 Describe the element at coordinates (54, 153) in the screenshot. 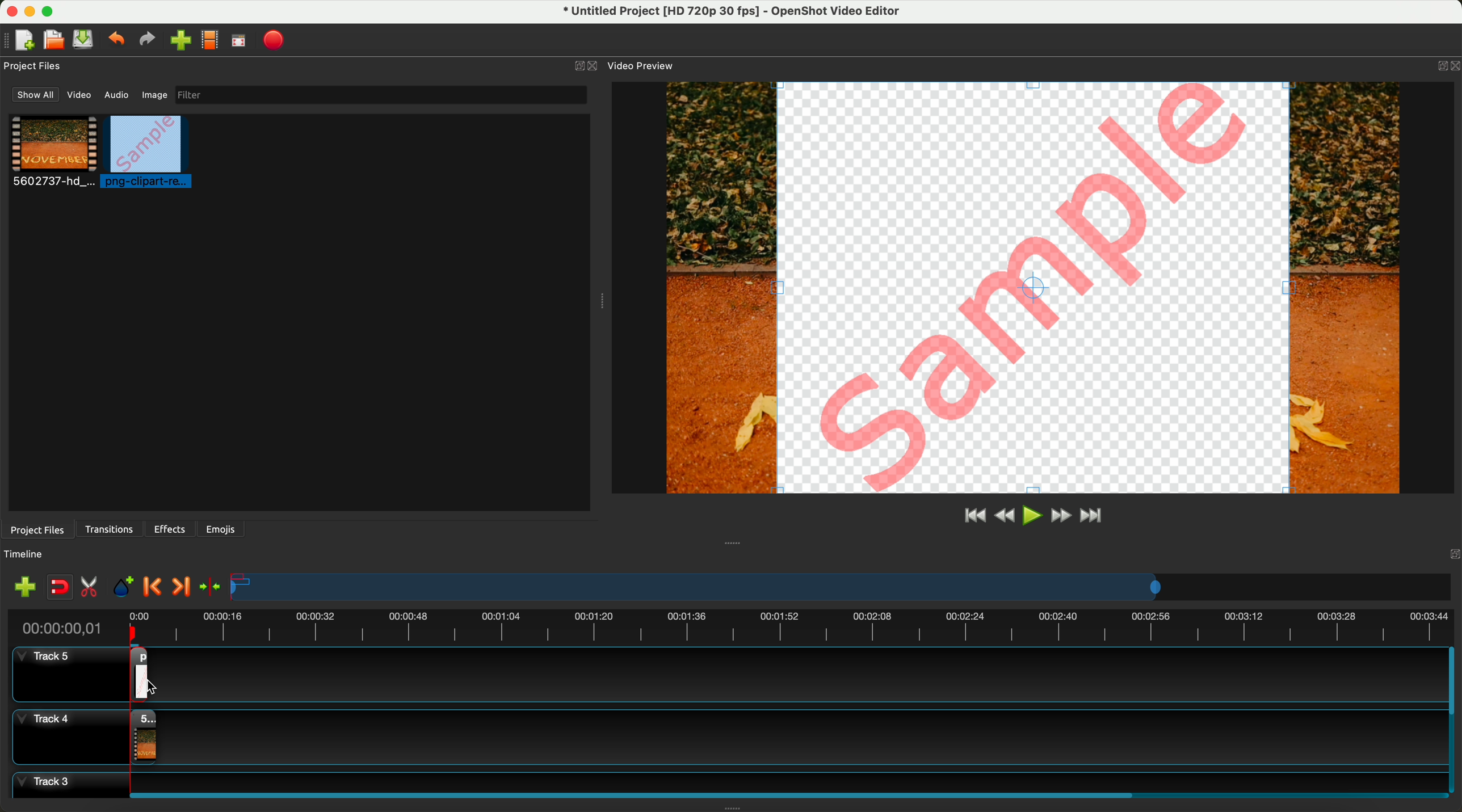

I see `video` at that location.